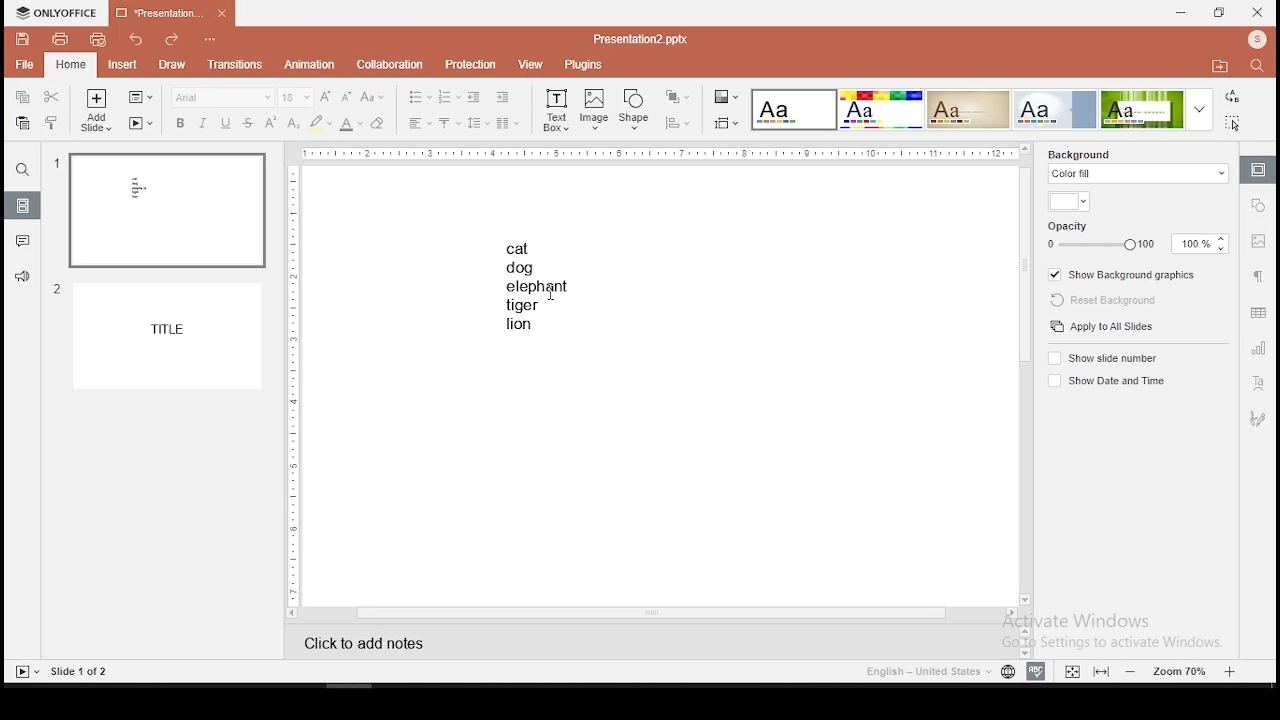 This screenshot has height=720, width=1280. Describe the element at coordinates (1254, 39) in the screenshot. I see `profile` at that location.